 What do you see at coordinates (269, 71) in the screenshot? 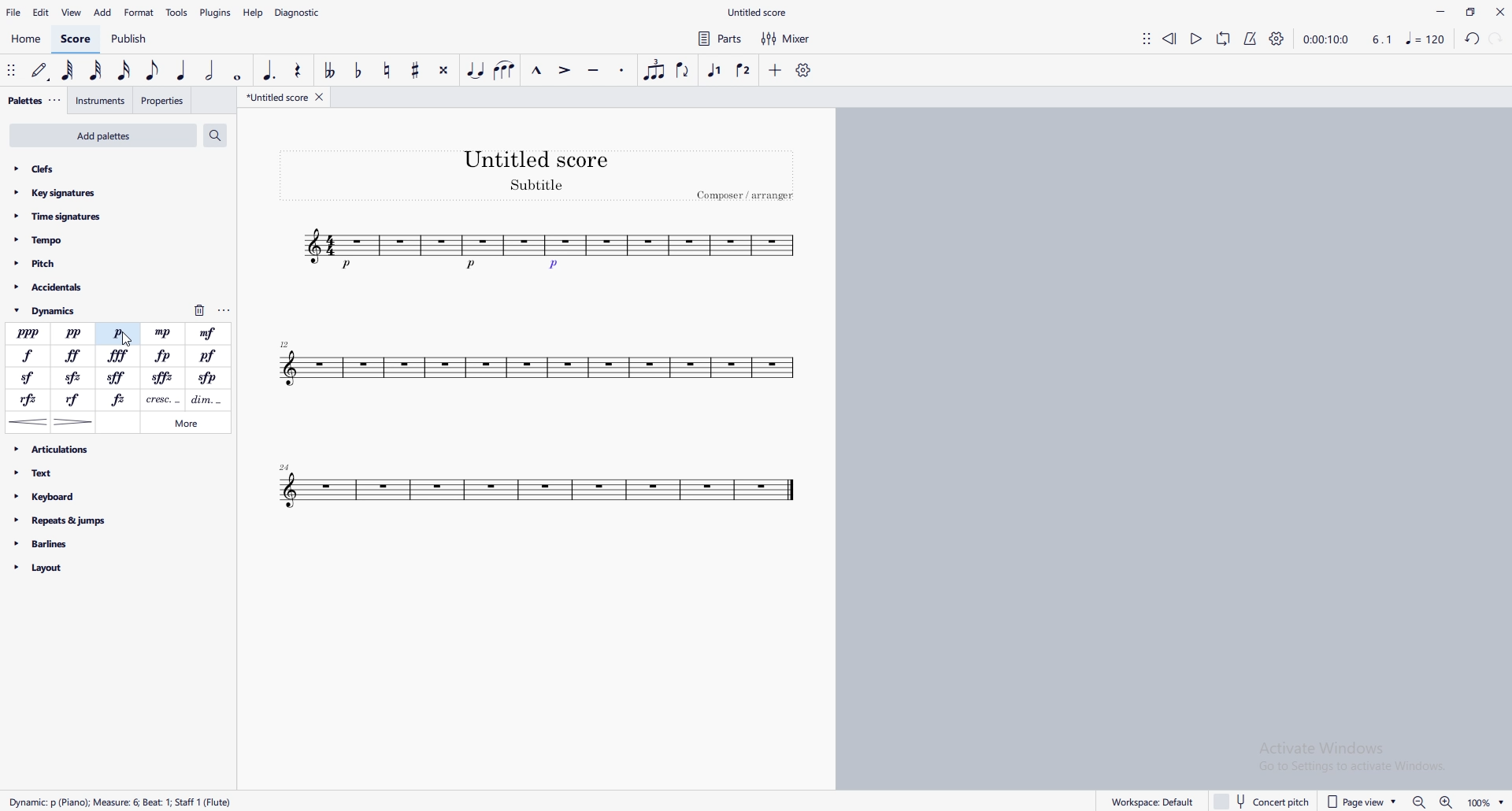
I see `augmentation dot` at bounding box center [269, 71].